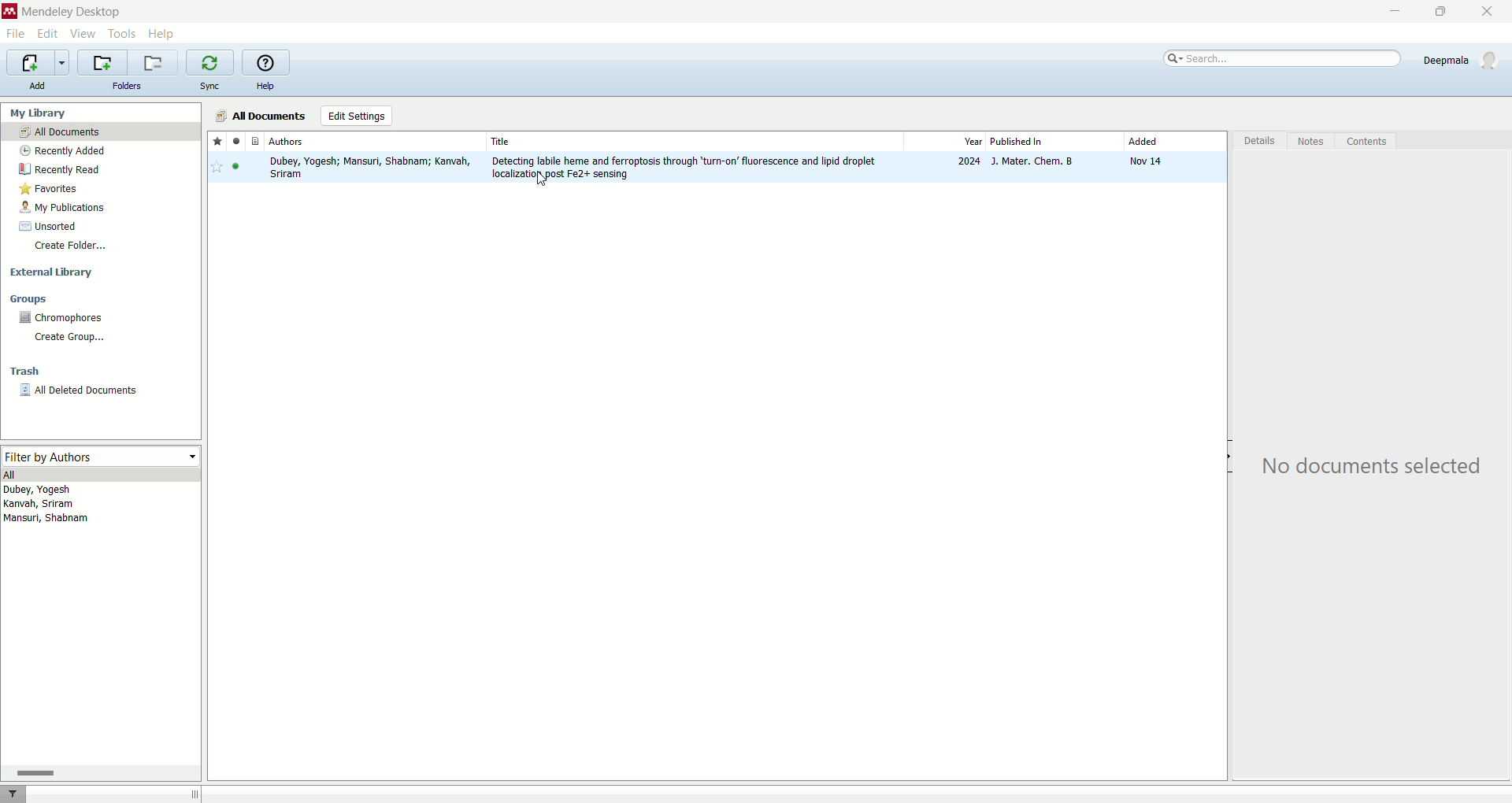  Describe the element at coordinates (102, 457) in the screenshot. I see `filter by authors` at that location.